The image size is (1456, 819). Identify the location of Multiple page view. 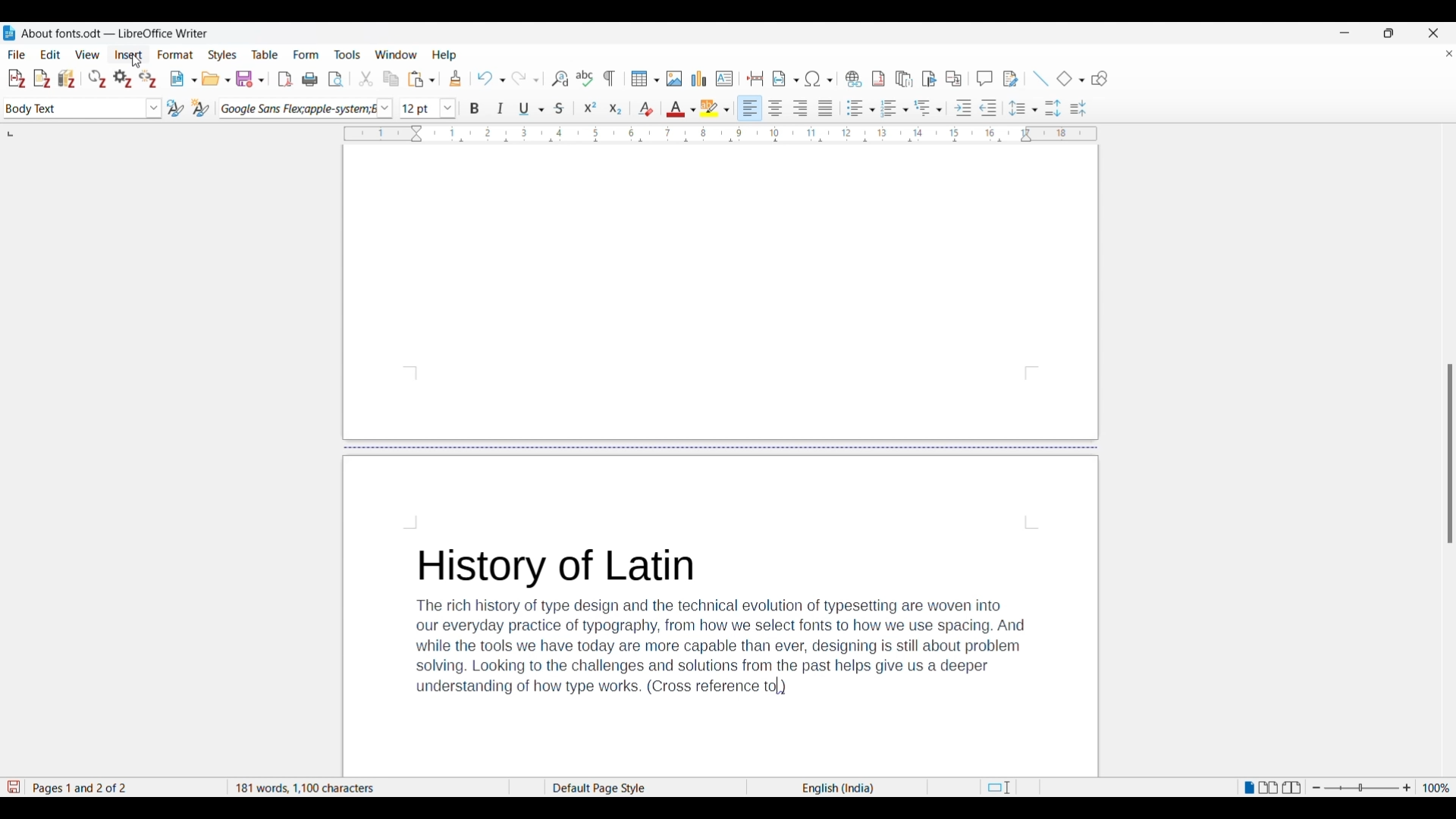
(1268, 788).